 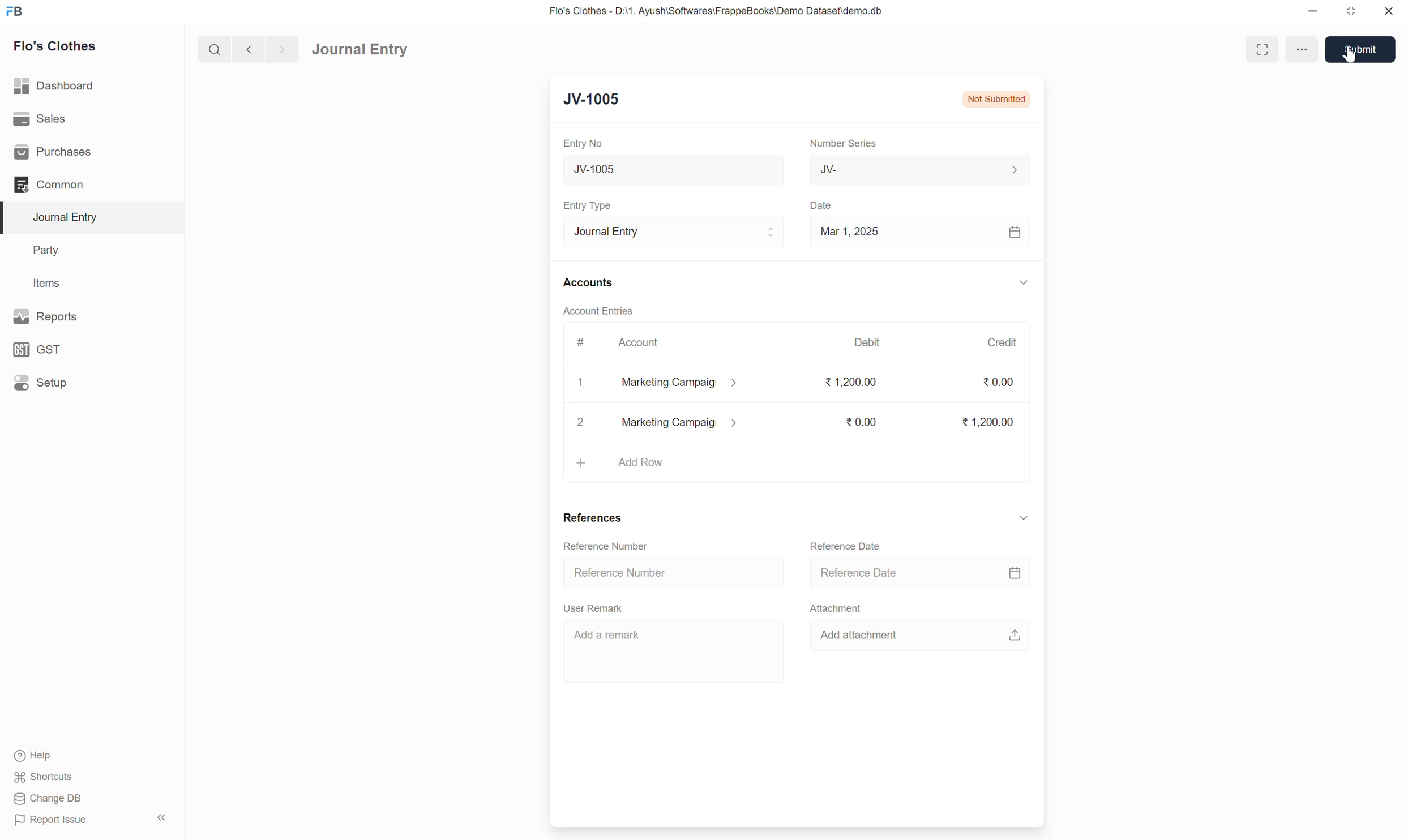 I want to click on Entry No, so click(x=585, y=143).